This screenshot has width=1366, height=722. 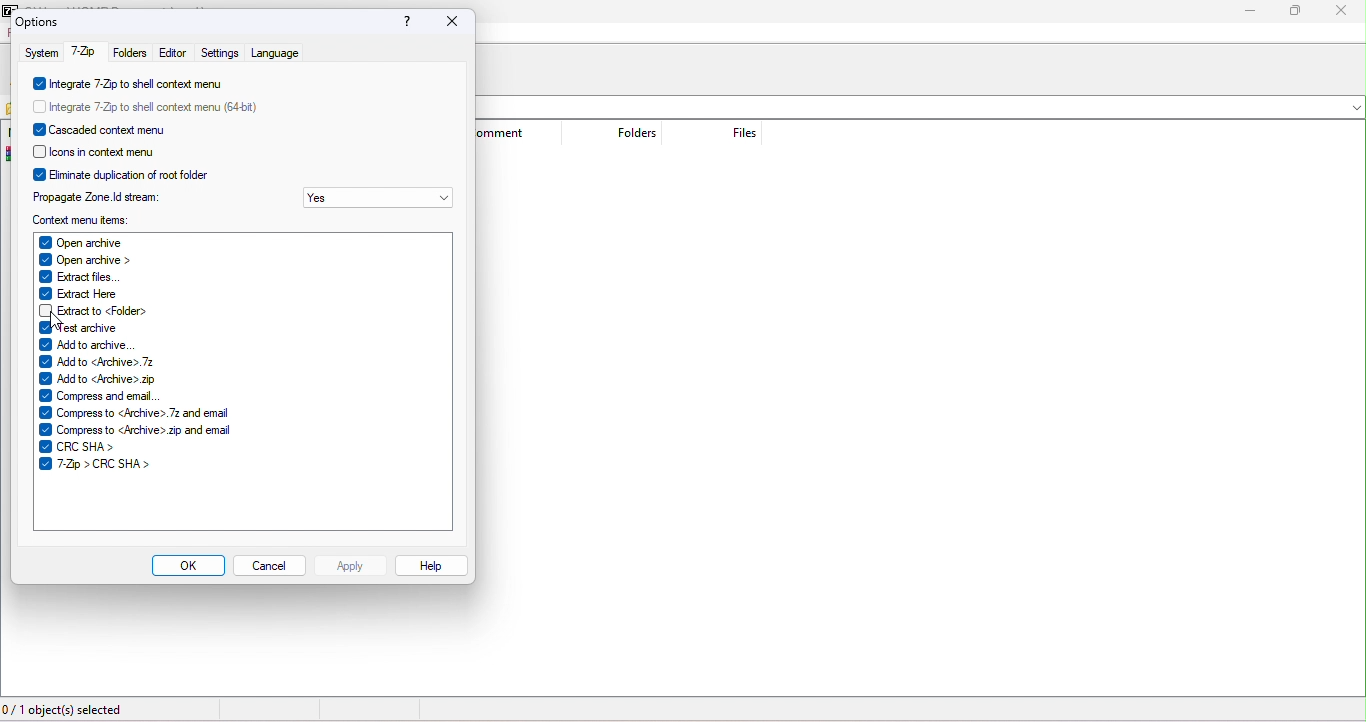 What do you see at coordinates (66, 711) in the screenshot?
I see `0/1 object (s) selected` at bounding box center [66, 711].